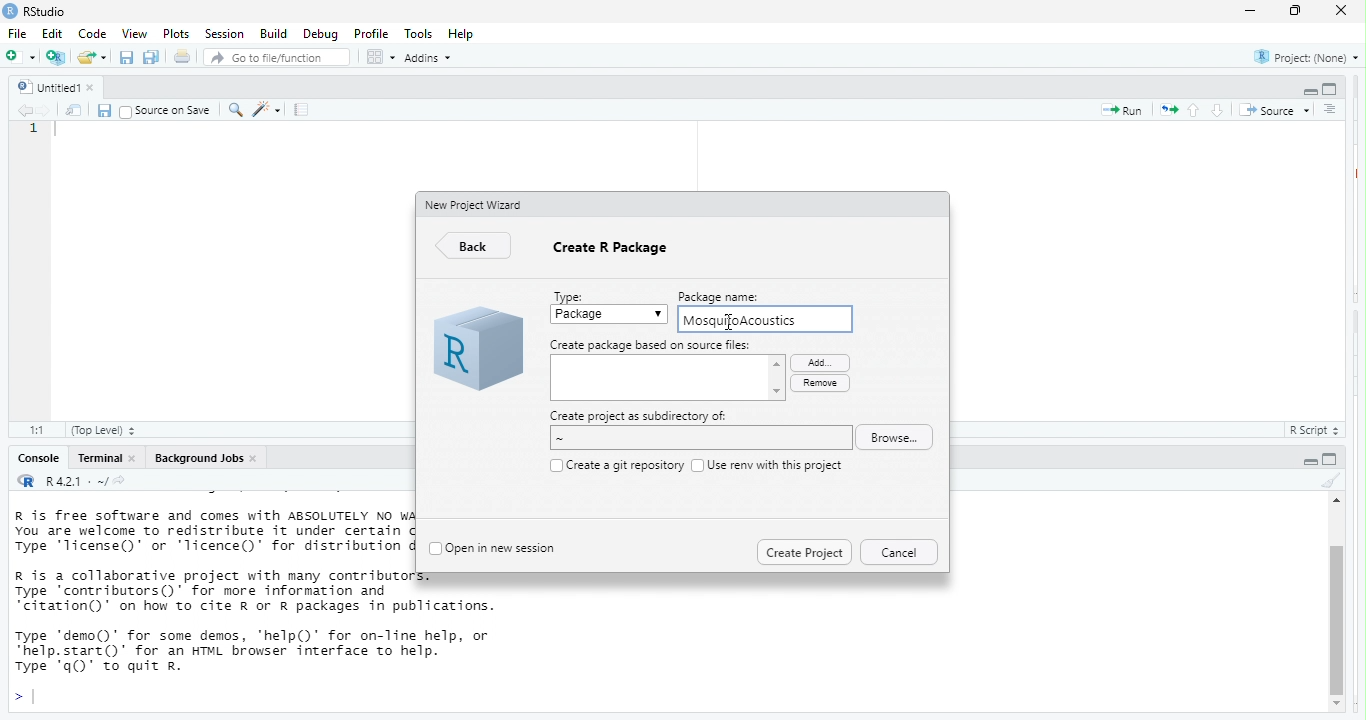 The height and width of the screenshot is (720, 1366). What do you see at coordinates (26, 111) in the screenshot?
I see `go back to the previous source location` at bounding box center [26, 111].